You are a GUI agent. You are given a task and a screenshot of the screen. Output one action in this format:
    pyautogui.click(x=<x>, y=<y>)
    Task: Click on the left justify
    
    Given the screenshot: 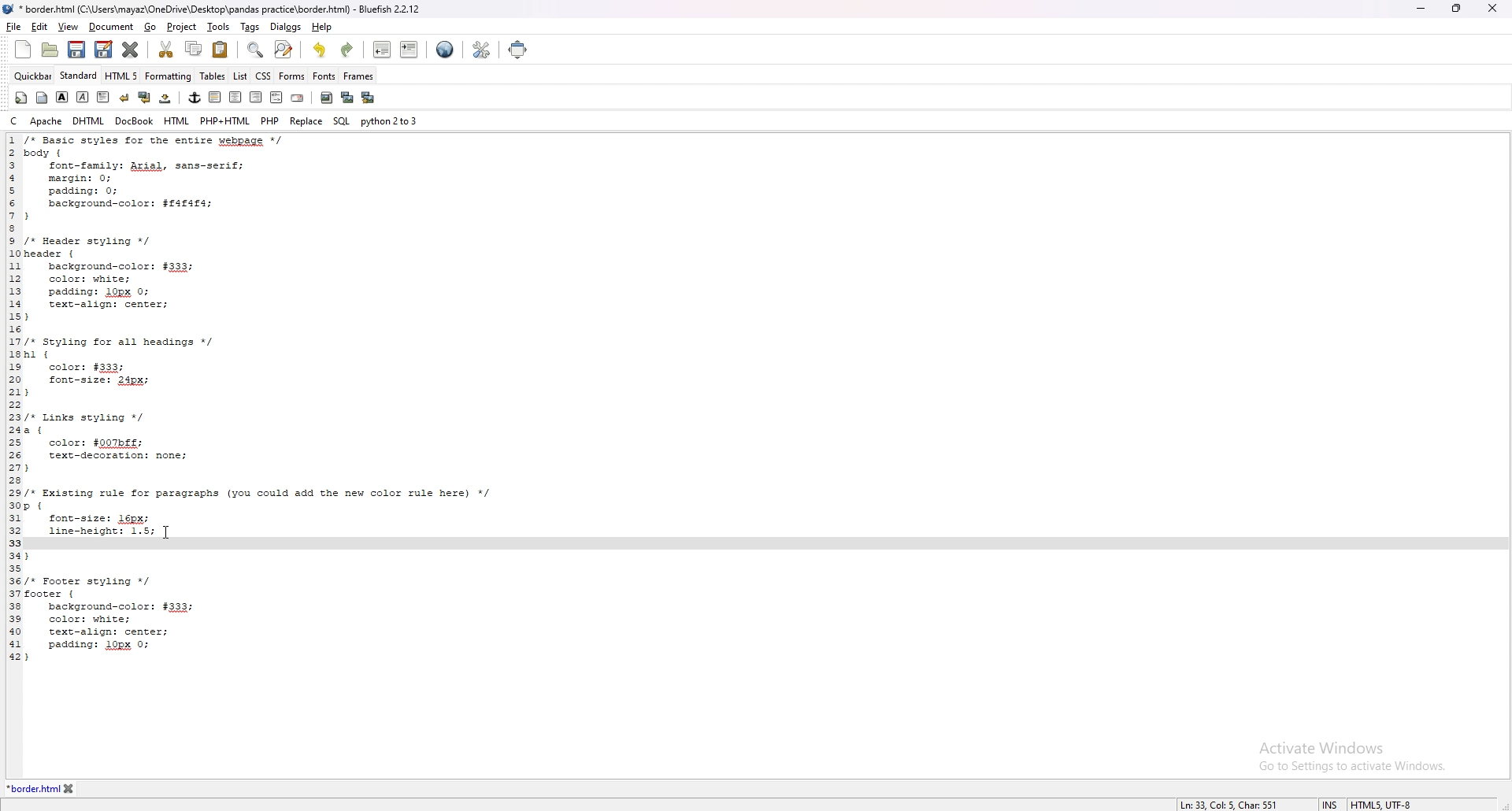 What is the action you would take?
    pyautogui.click(x=216, y=97)
    